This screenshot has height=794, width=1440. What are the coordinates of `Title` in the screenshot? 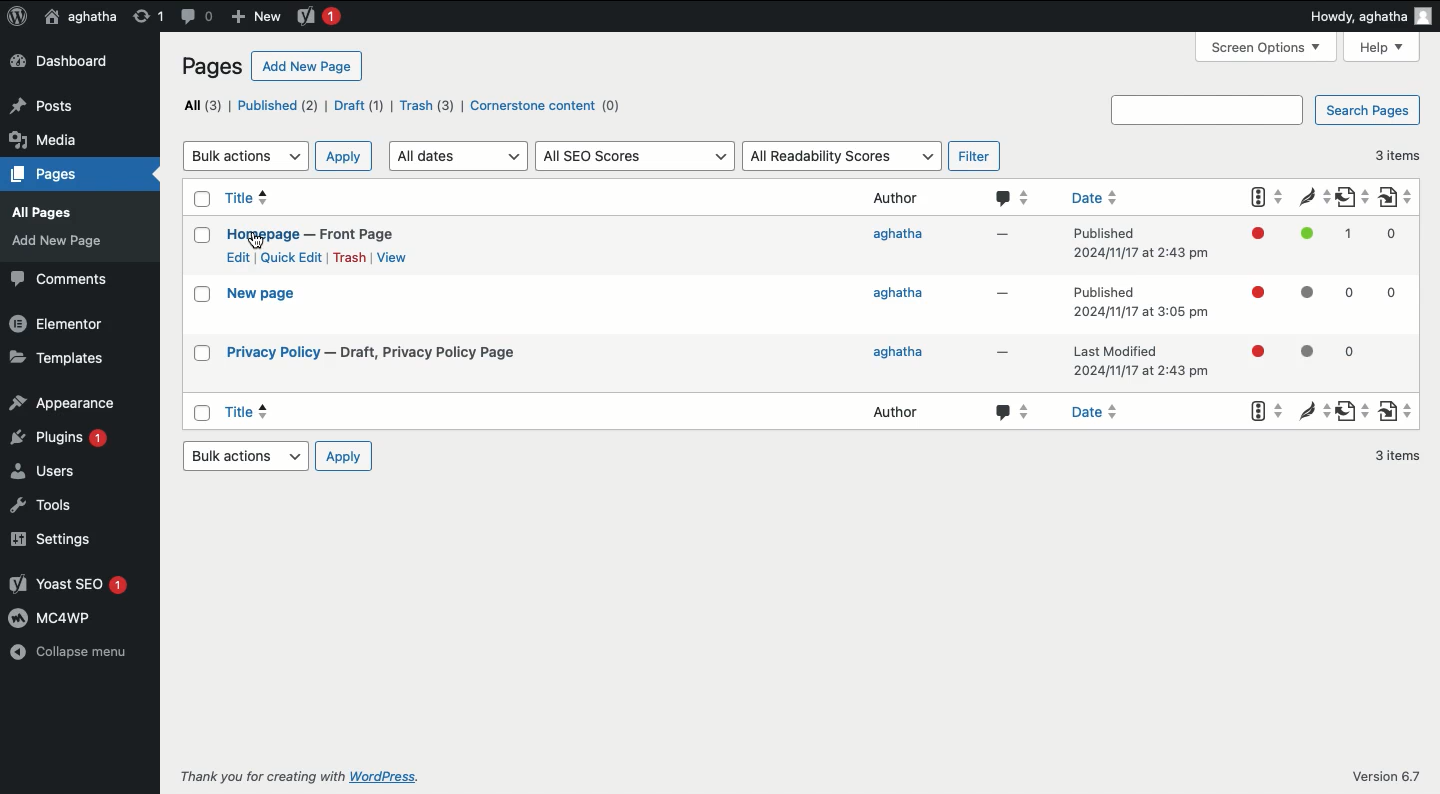 It's located at (378, 353).